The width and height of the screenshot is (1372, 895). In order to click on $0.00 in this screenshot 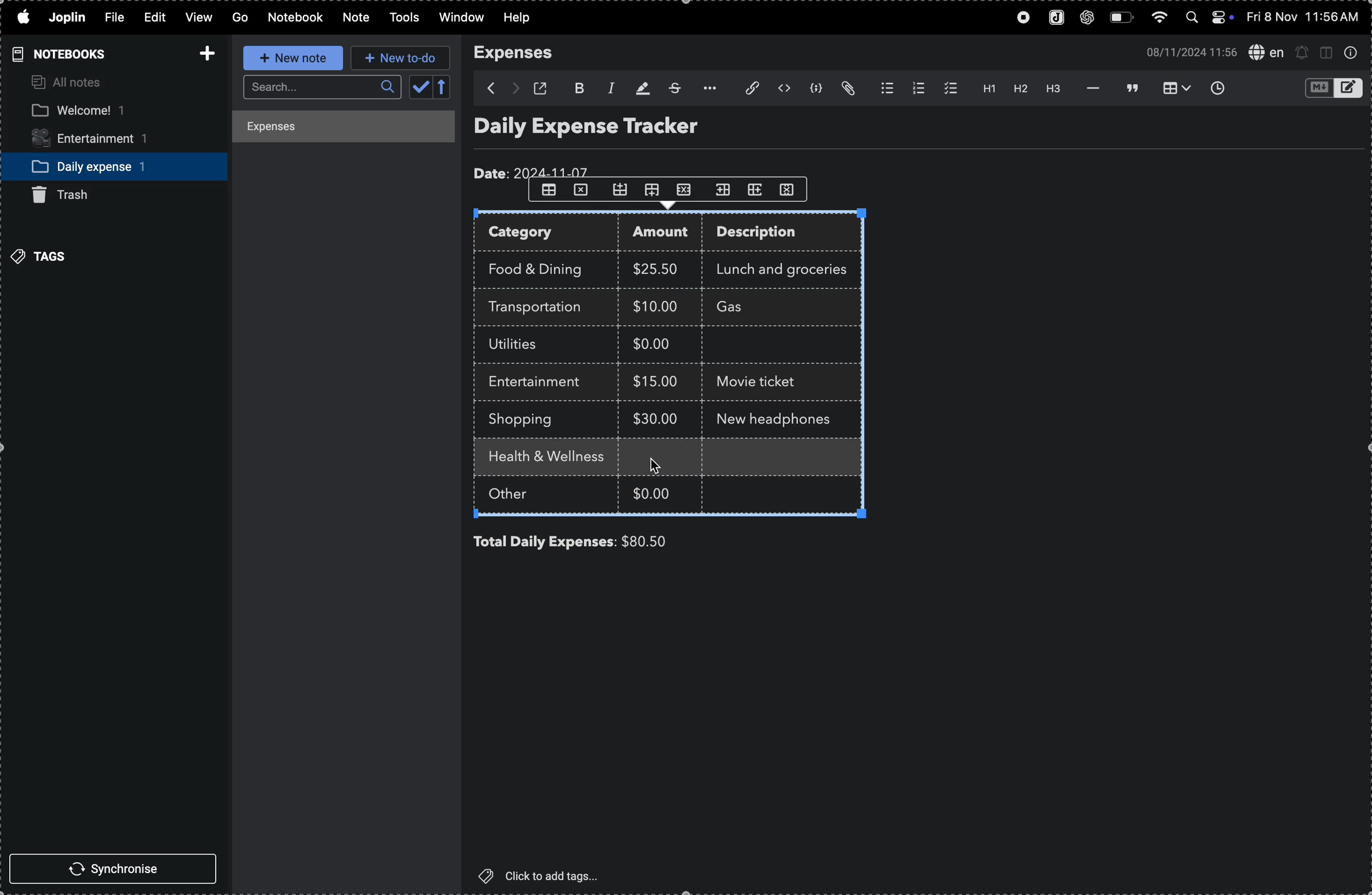, I will do `click(659, 346)`.